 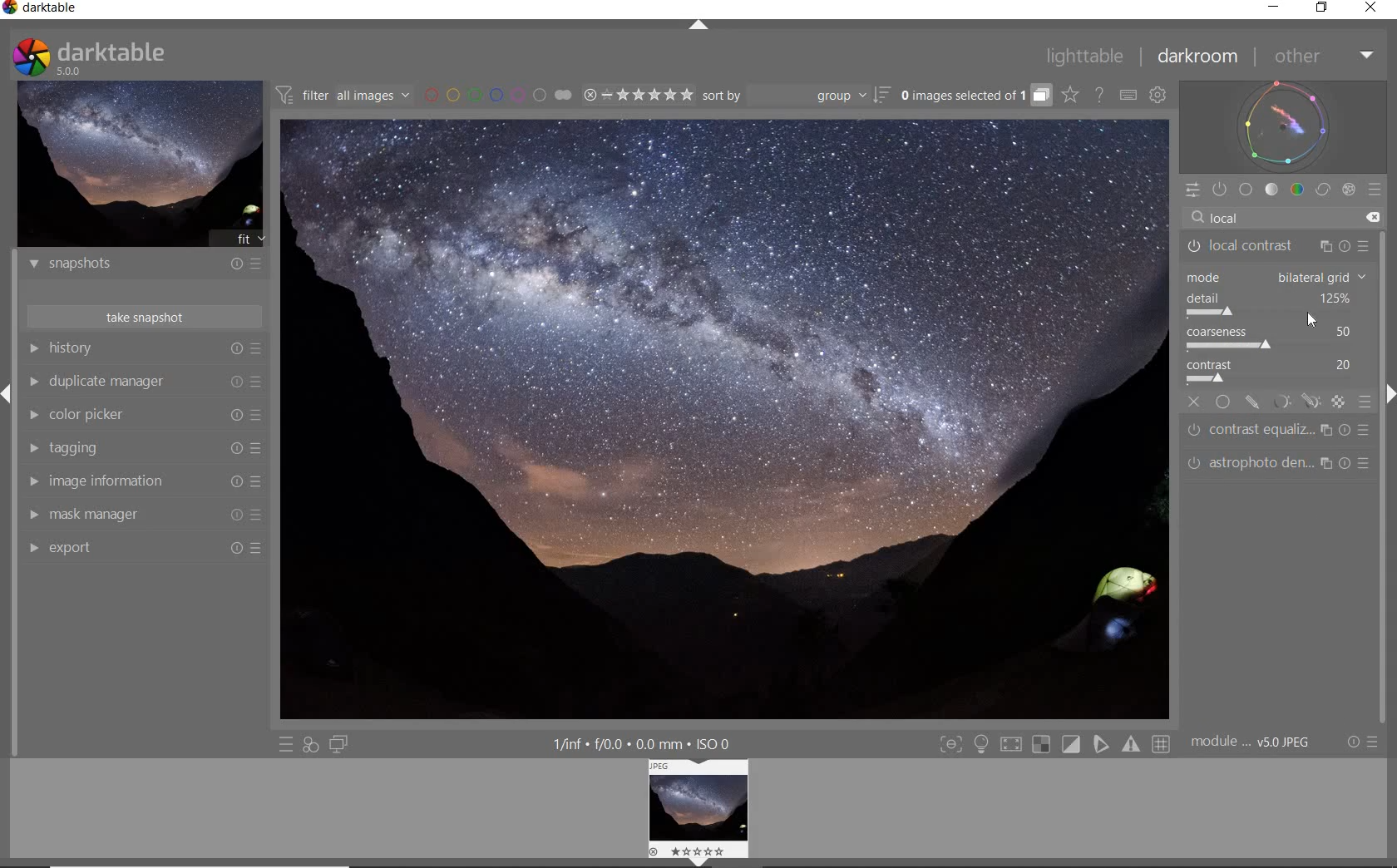 What do you see at coordinates (237, 417) in the screenshot?
I see `Reset` at bounding box center [237, 417].